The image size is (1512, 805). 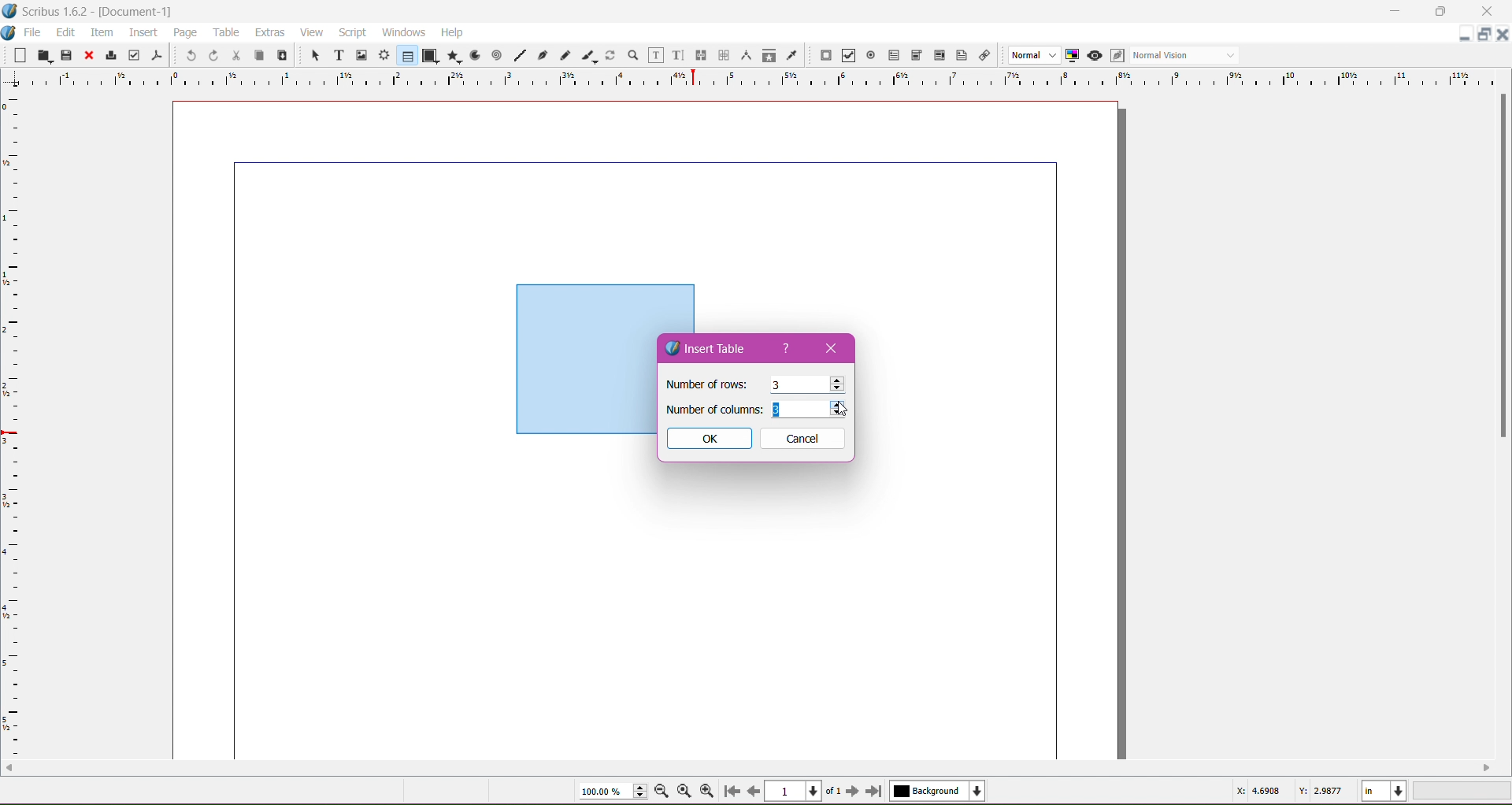 What do you see at coordinates (429, 55) in the screenshot?
I see `Shapes` at bounding box center [429, 55].